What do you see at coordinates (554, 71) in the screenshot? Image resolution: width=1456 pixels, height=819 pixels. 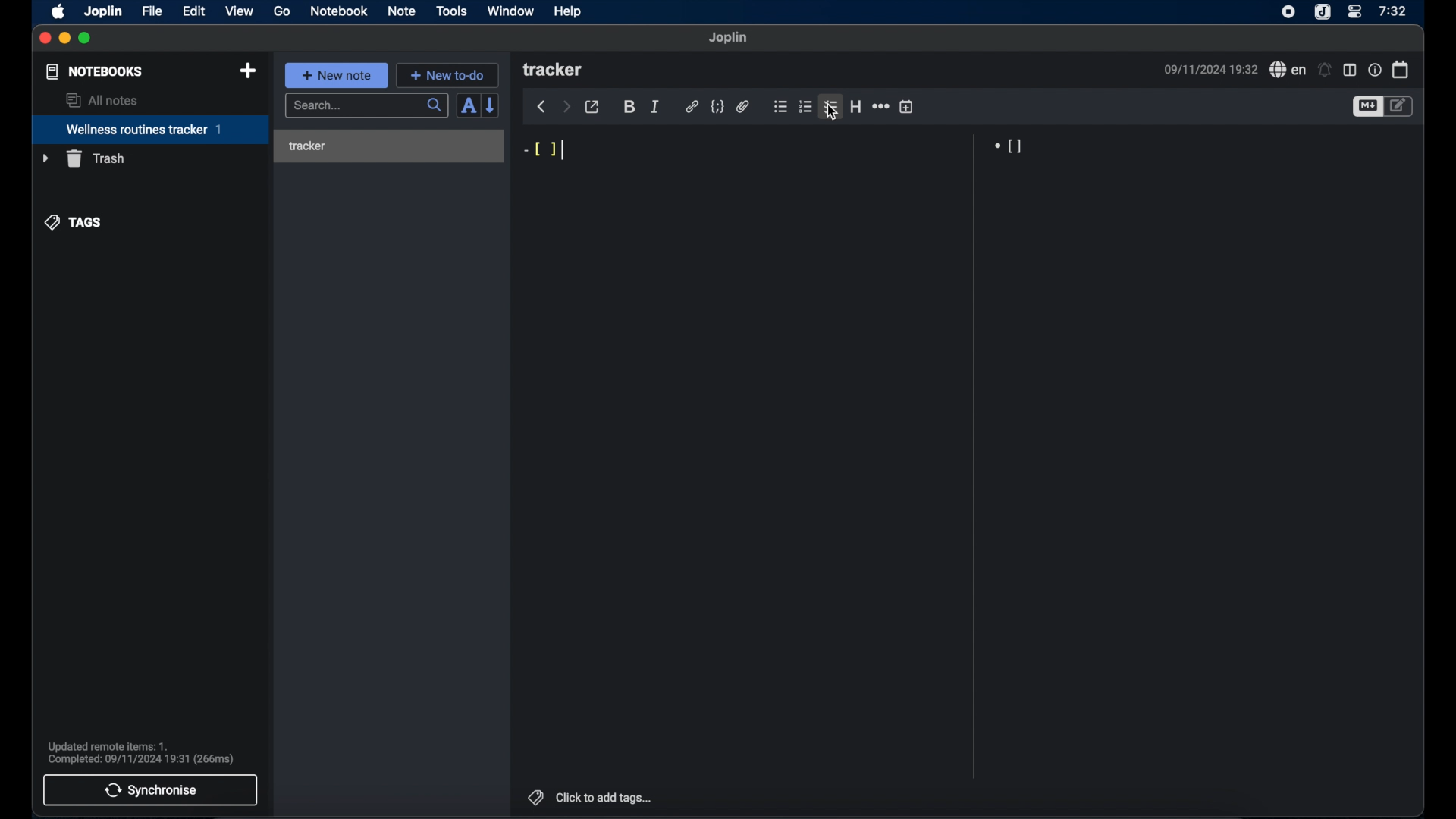 I see `tracker` at bounding box center [554, 71].